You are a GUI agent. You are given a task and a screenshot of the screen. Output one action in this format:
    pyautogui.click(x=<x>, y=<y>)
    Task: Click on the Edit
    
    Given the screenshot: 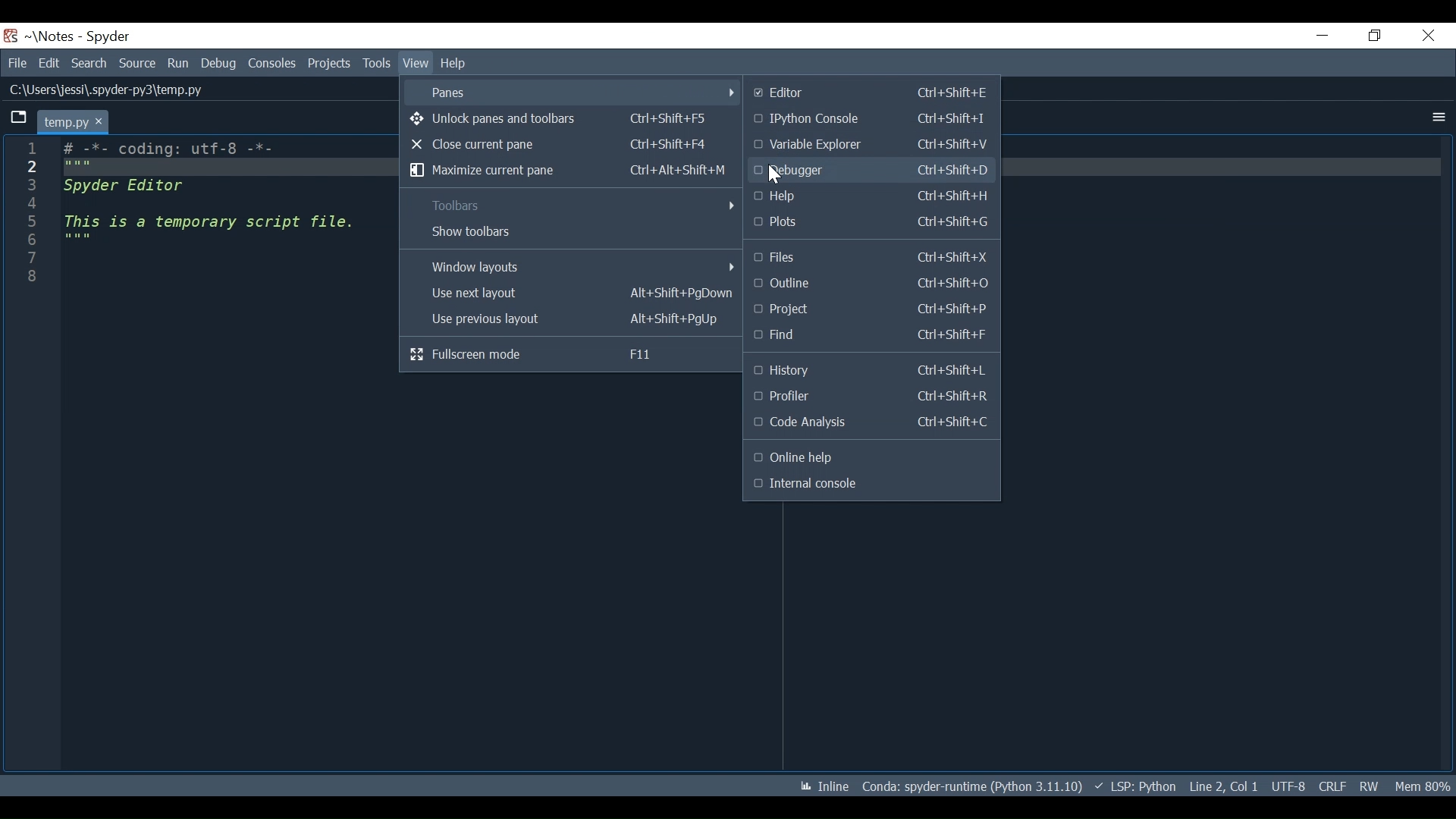 What is the action you would take?
    pyautogui.click(x=49, y=63)
    